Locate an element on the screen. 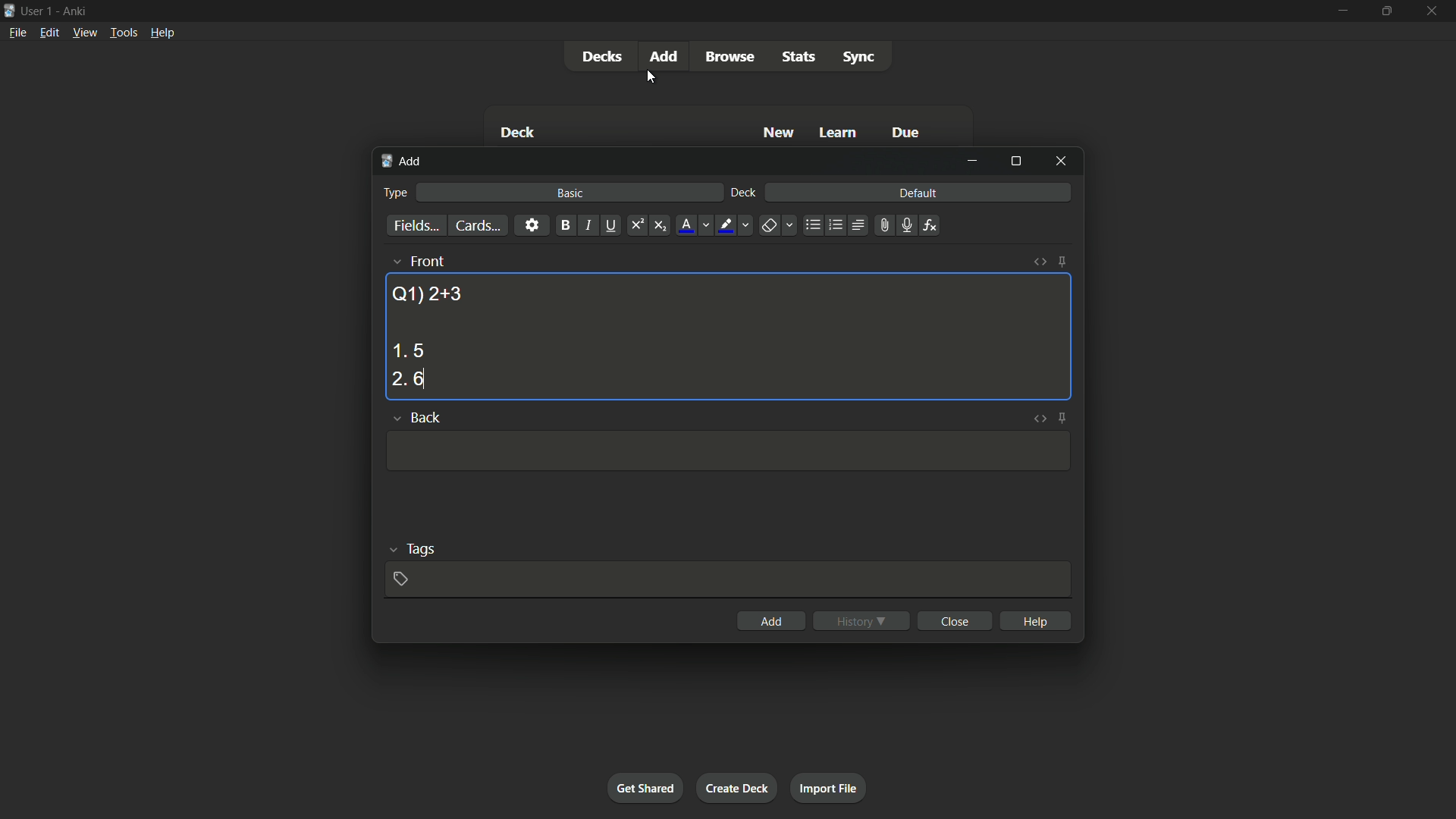 This screenshot has width=1456, height=819. learn is located at coordinates (838, 133).